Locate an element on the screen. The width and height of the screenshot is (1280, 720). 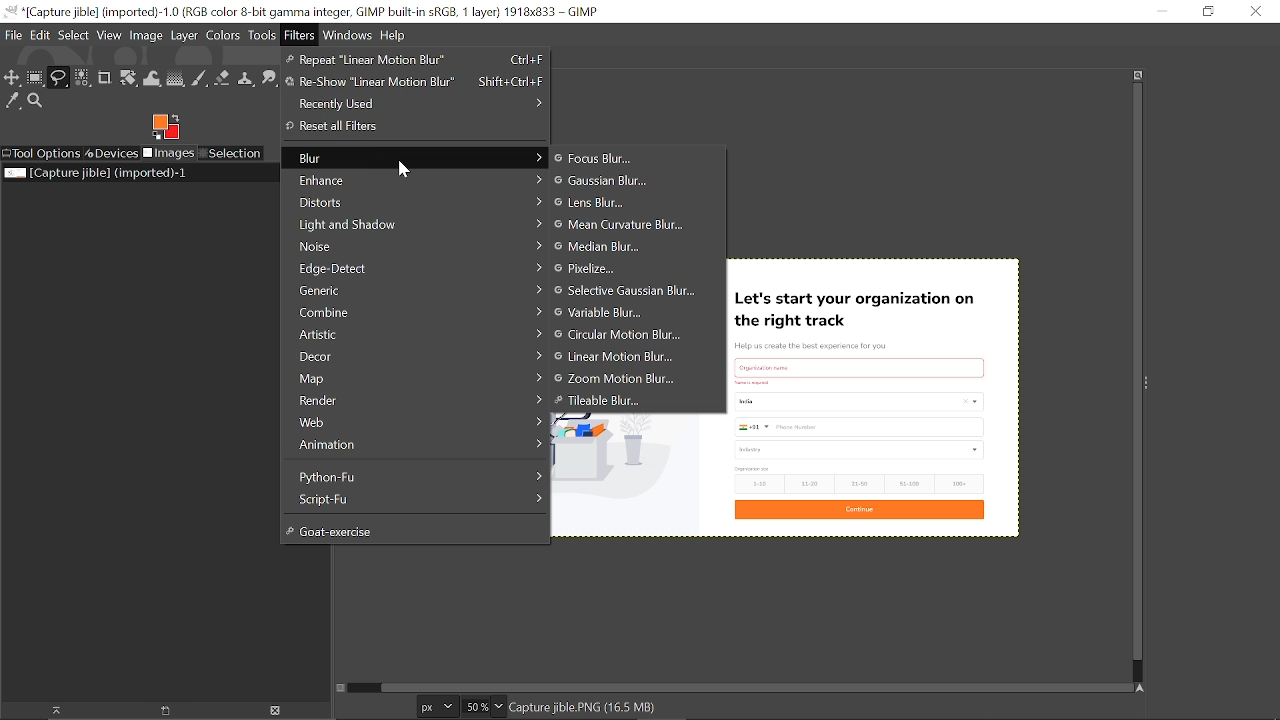
Zoom options is located at coordinates (499, 706).